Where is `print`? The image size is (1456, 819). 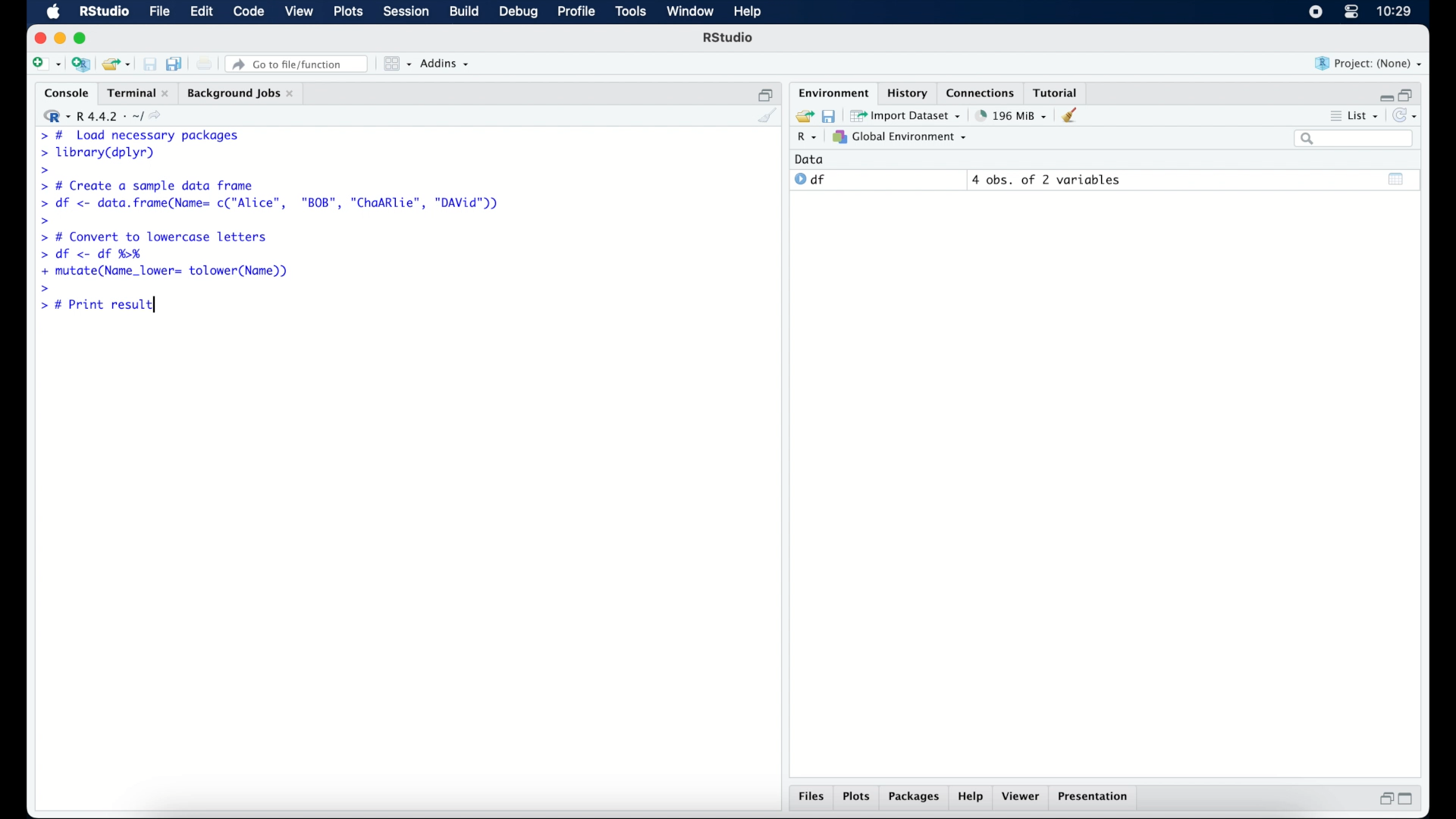
print is located at coordinates (205, 64).